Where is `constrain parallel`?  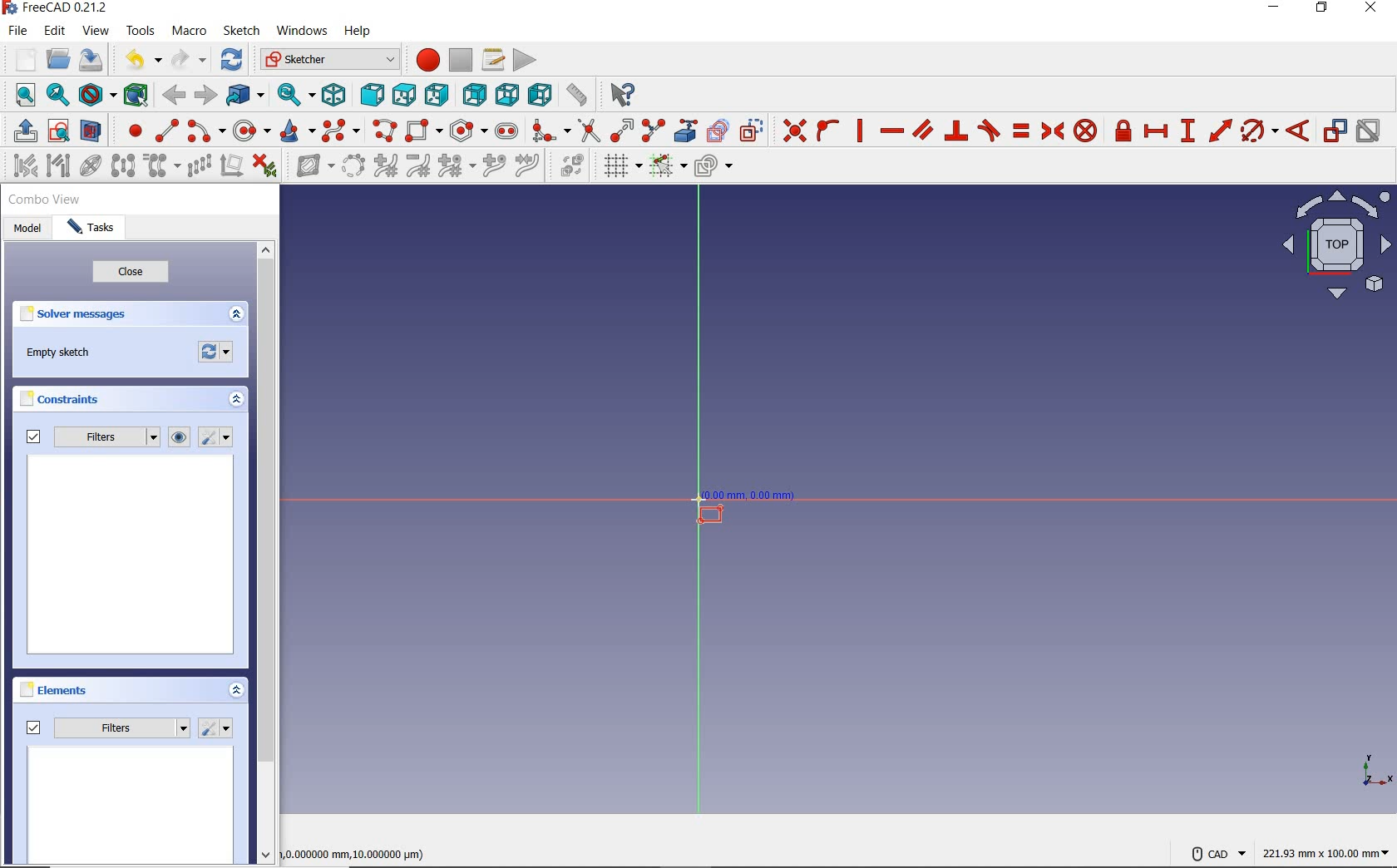
constrain parallel is located at coordinates (923, 130).